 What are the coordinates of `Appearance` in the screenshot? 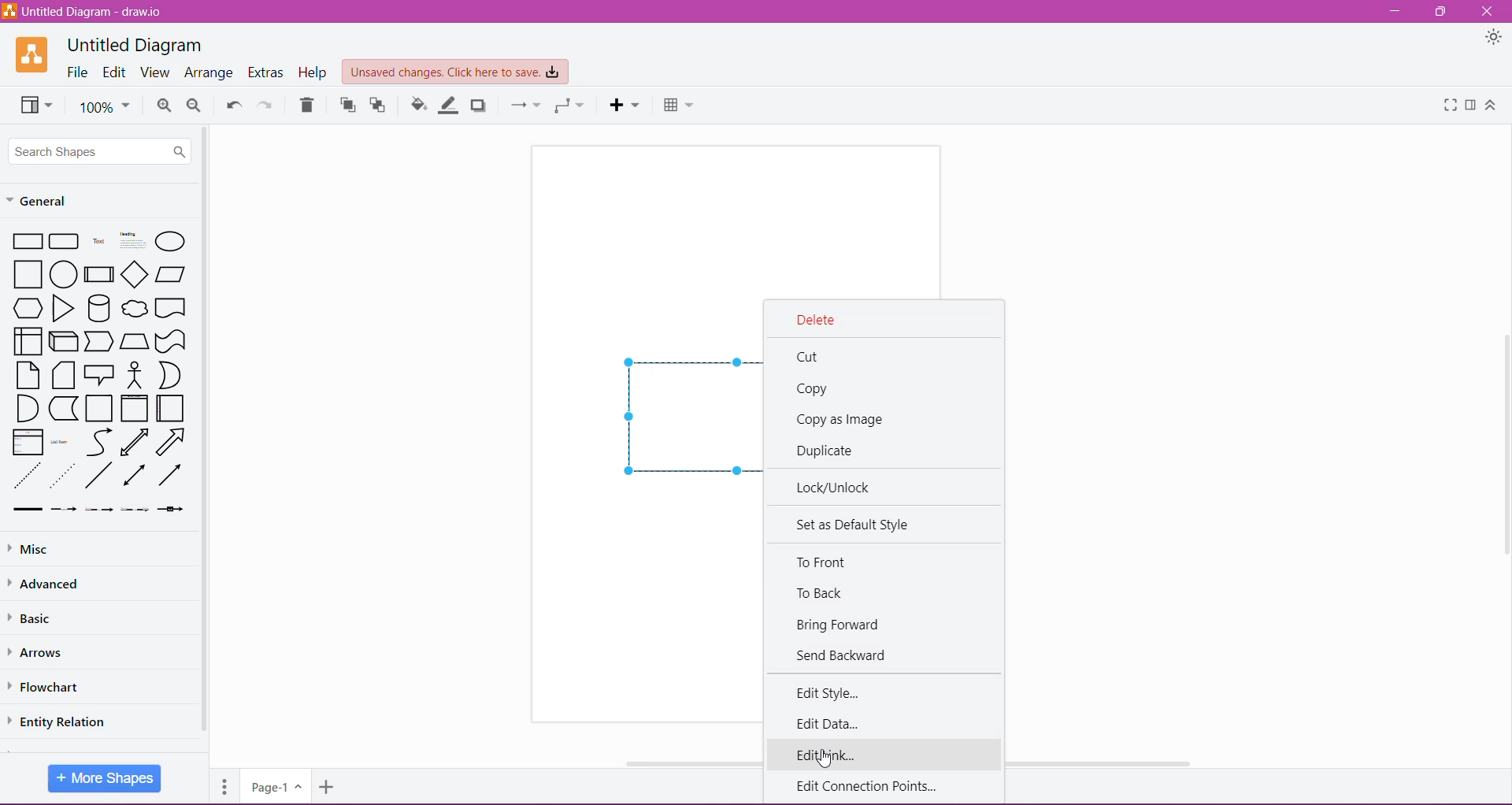 It's located at (1494, 38).